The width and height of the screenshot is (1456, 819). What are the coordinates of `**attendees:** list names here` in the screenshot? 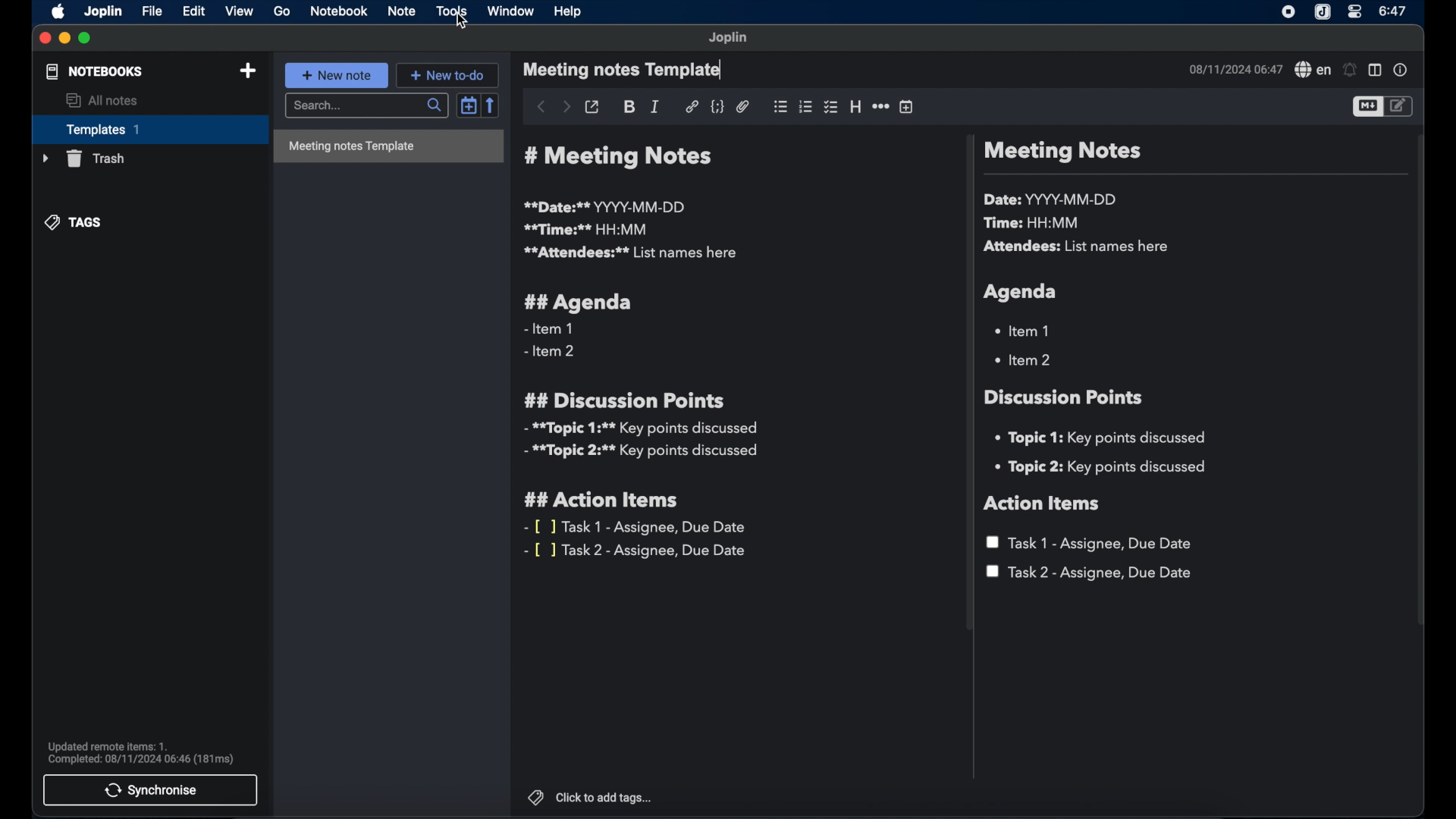 It's located at (629, 253).